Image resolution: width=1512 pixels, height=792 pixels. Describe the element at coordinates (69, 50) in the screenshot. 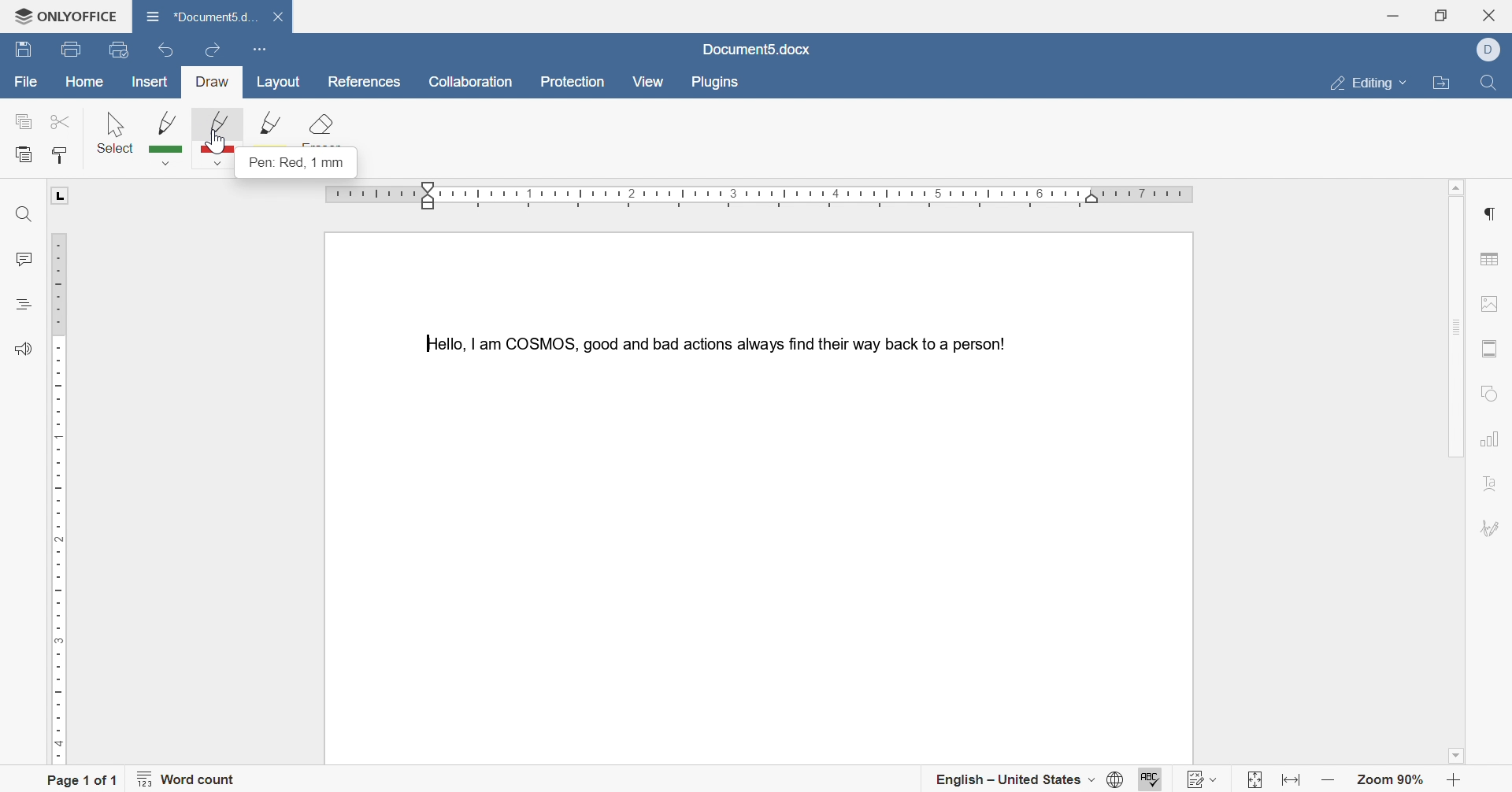

I see `print` at that location.